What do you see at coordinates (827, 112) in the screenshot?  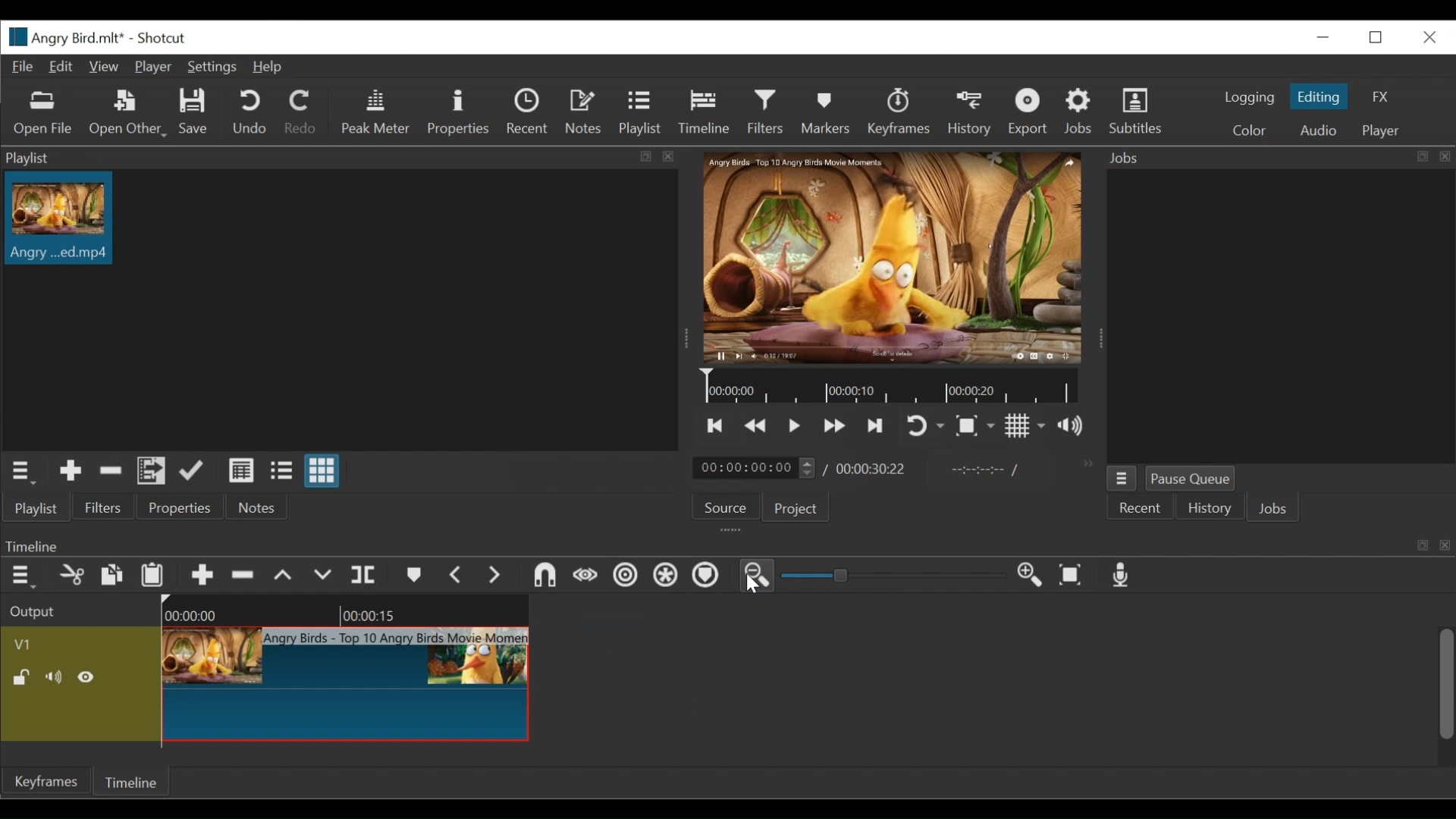 I see `Markers` at bounding box center [827, 112].